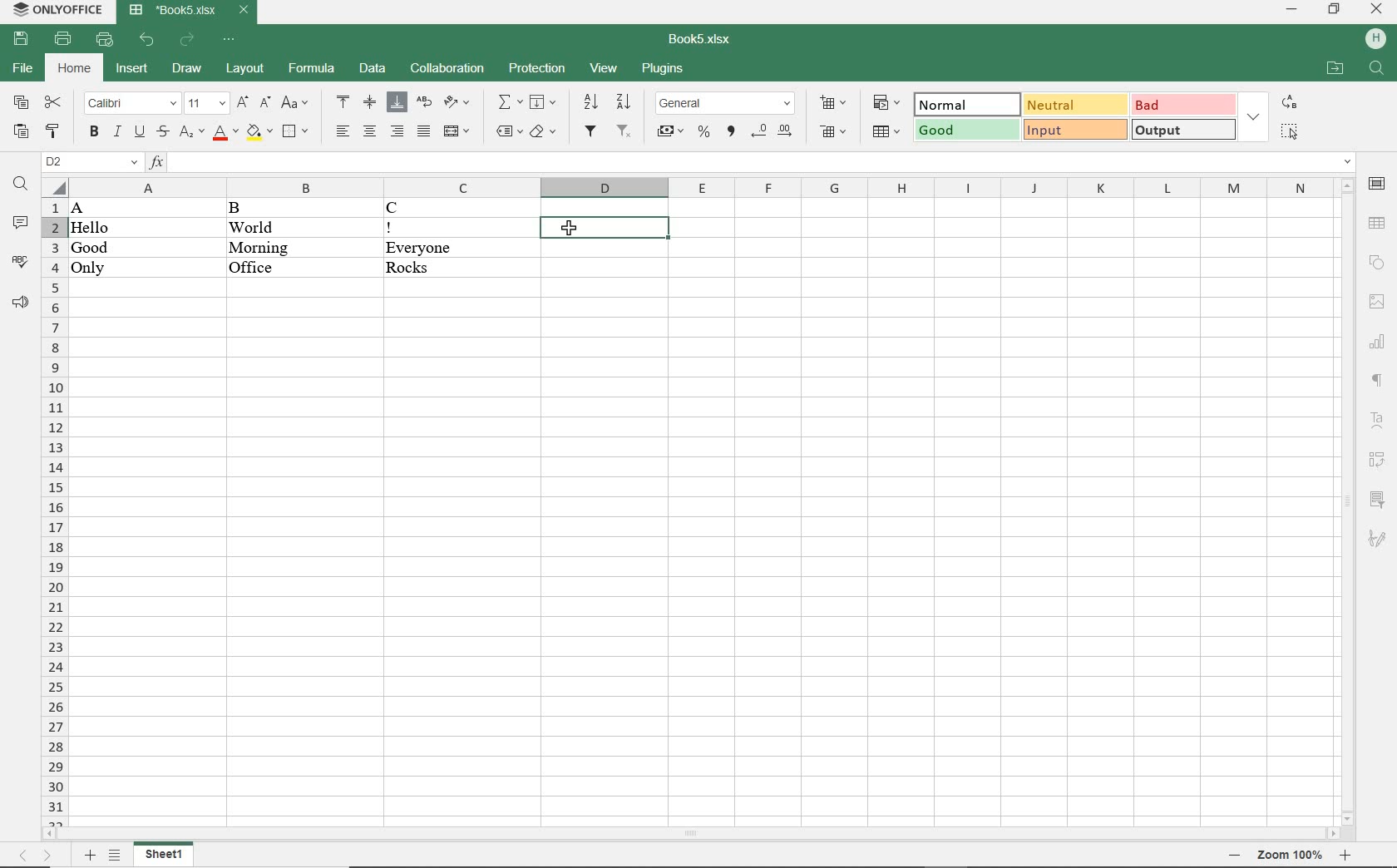  What do you see at coordinates (1377, 9) in the screenshot?
I see `CLOSE` at bounding box center [1377, 9].